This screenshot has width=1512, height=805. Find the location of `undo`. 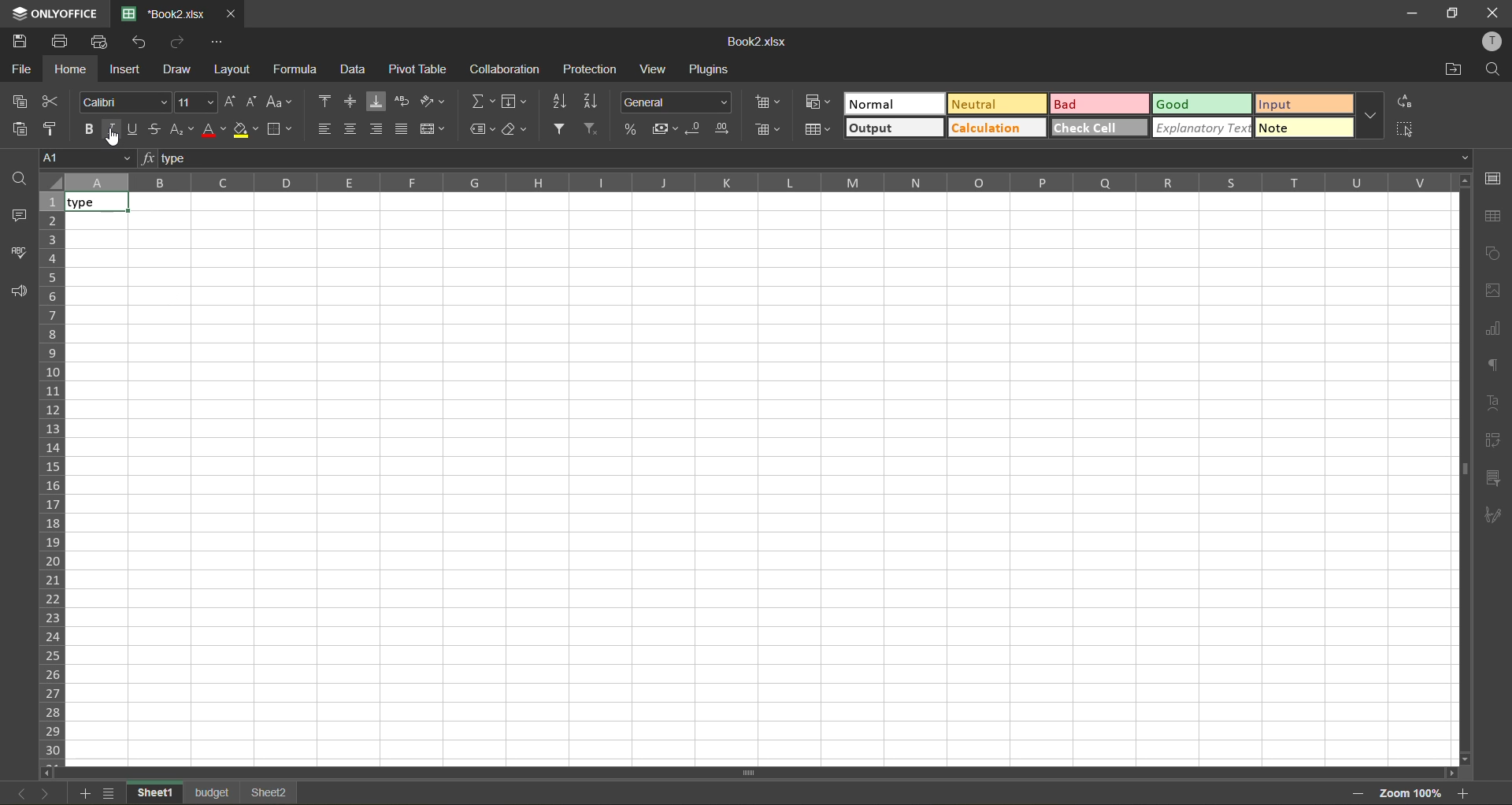

undo is located at coordinates (144, 43).